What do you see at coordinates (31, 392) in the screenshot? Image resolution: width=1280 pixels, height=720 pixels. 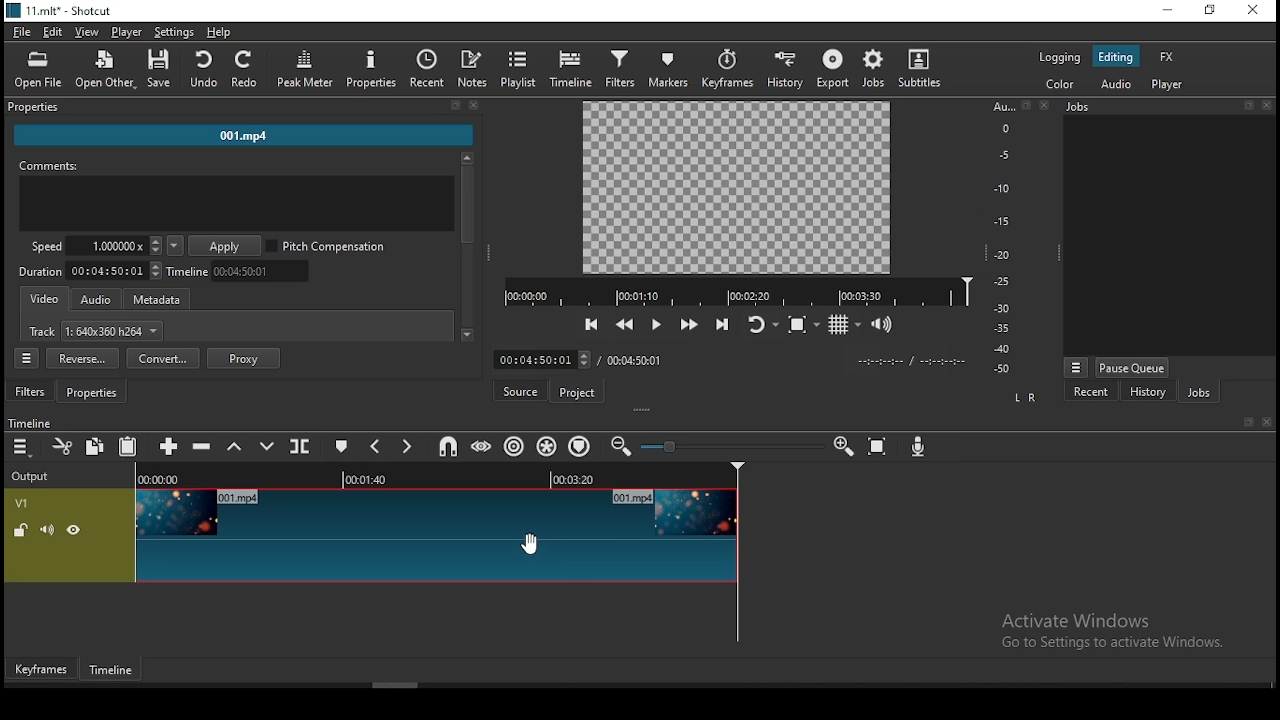 I see `filters` at bounding box center [31, 392].